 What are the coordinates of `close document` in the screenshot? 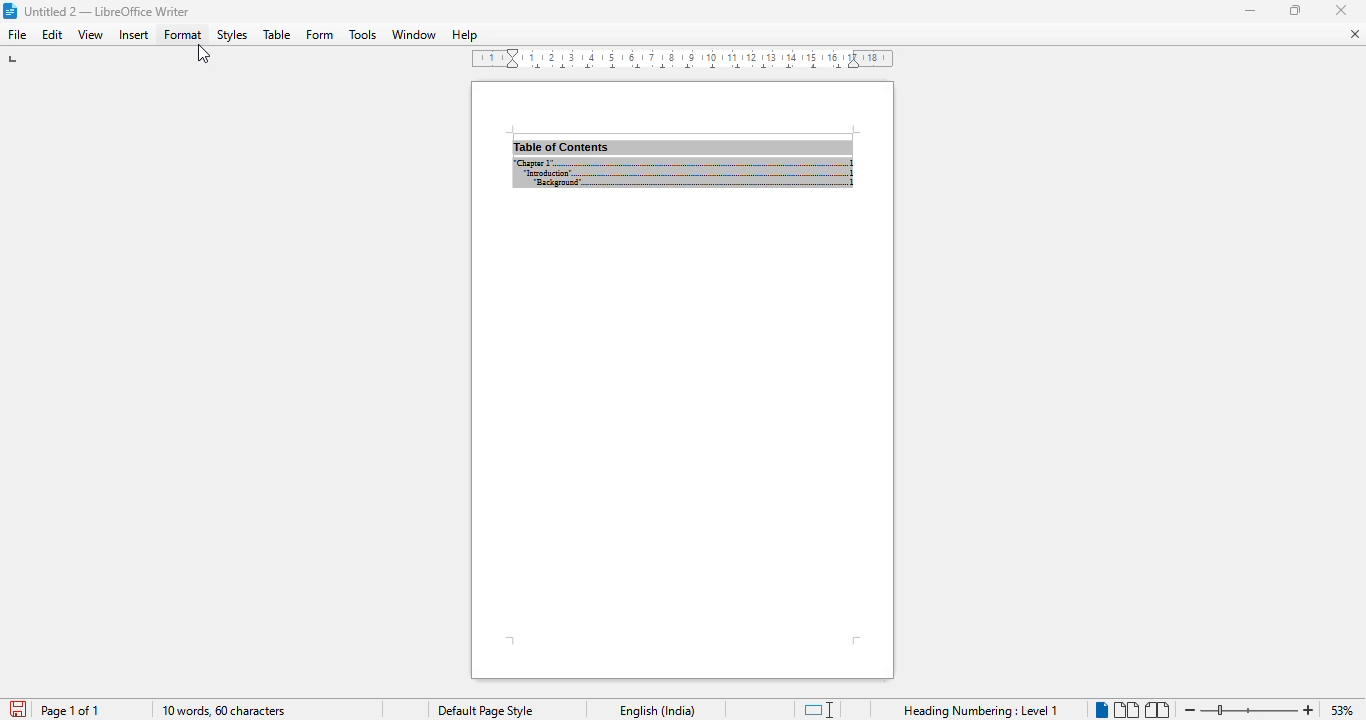 It's located at (1355, 34).